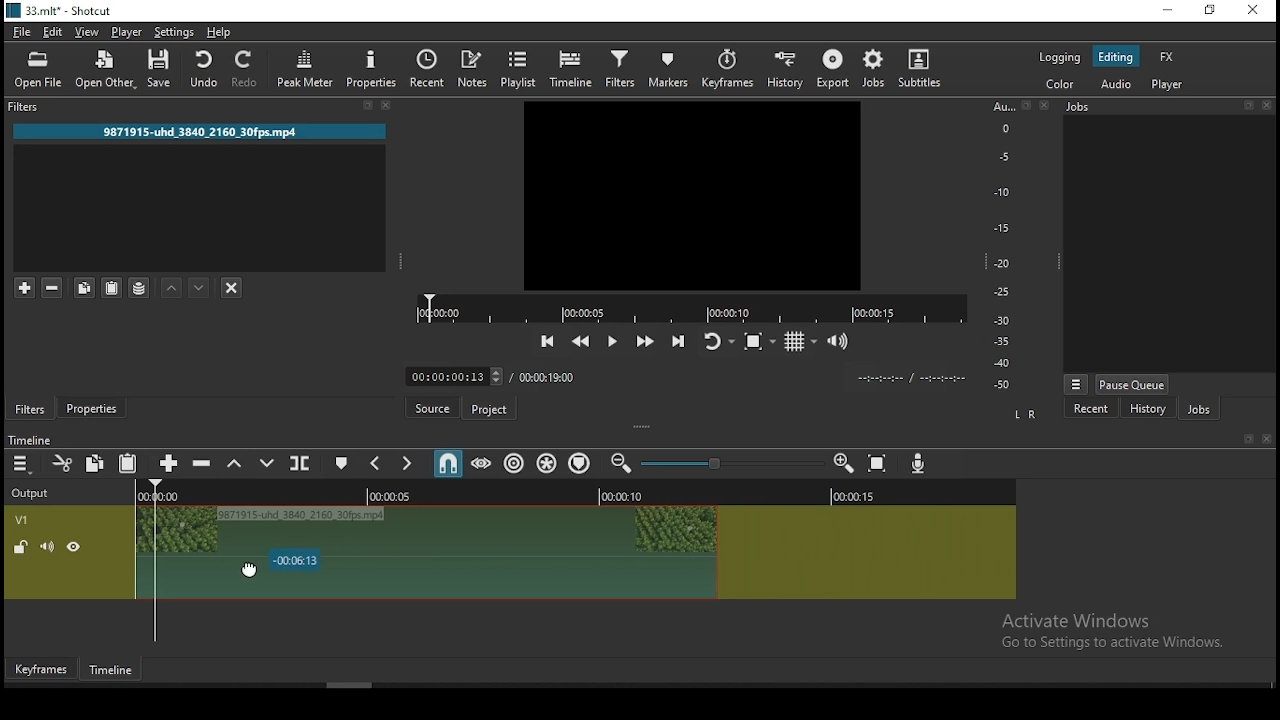 This screenshot has width=1280, height=720. I want to click on LR, so click(1027, 417).